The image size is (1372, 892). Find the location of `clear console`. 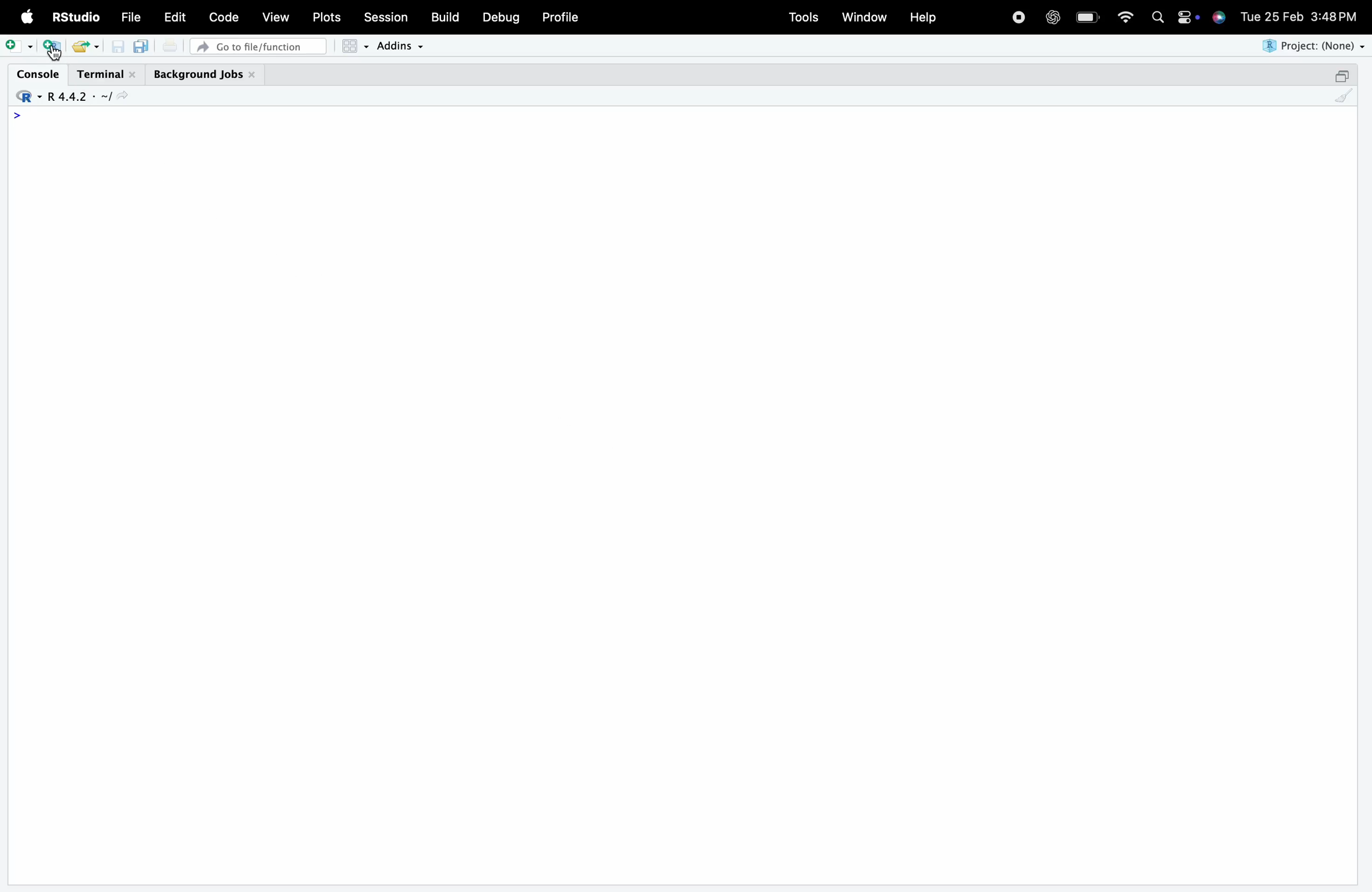

clear console is located at coordinates (1344, 96).